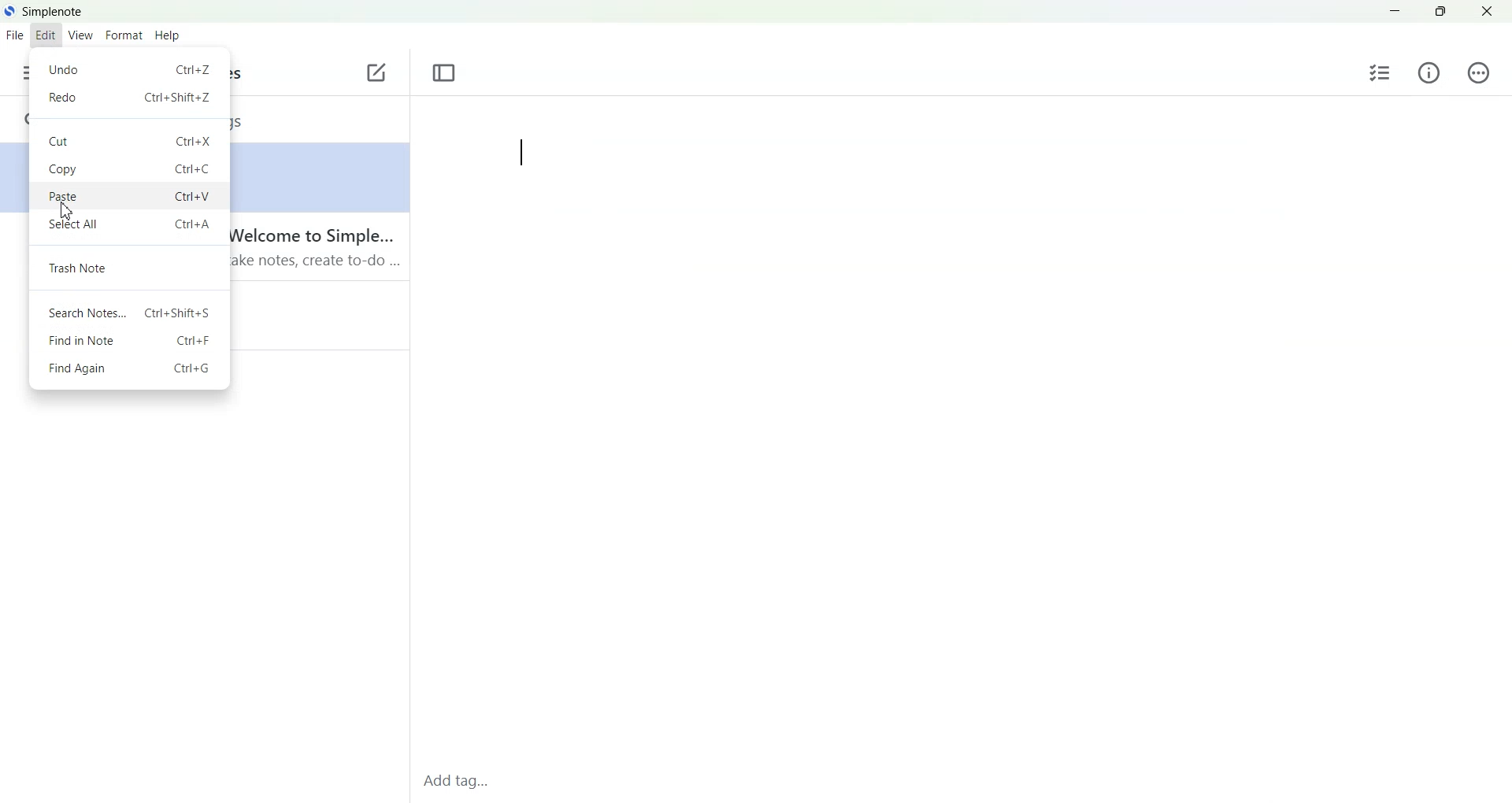  Describe the element at coordinates (375, 73) in the screenshot. I see `Add new notes` at that location.